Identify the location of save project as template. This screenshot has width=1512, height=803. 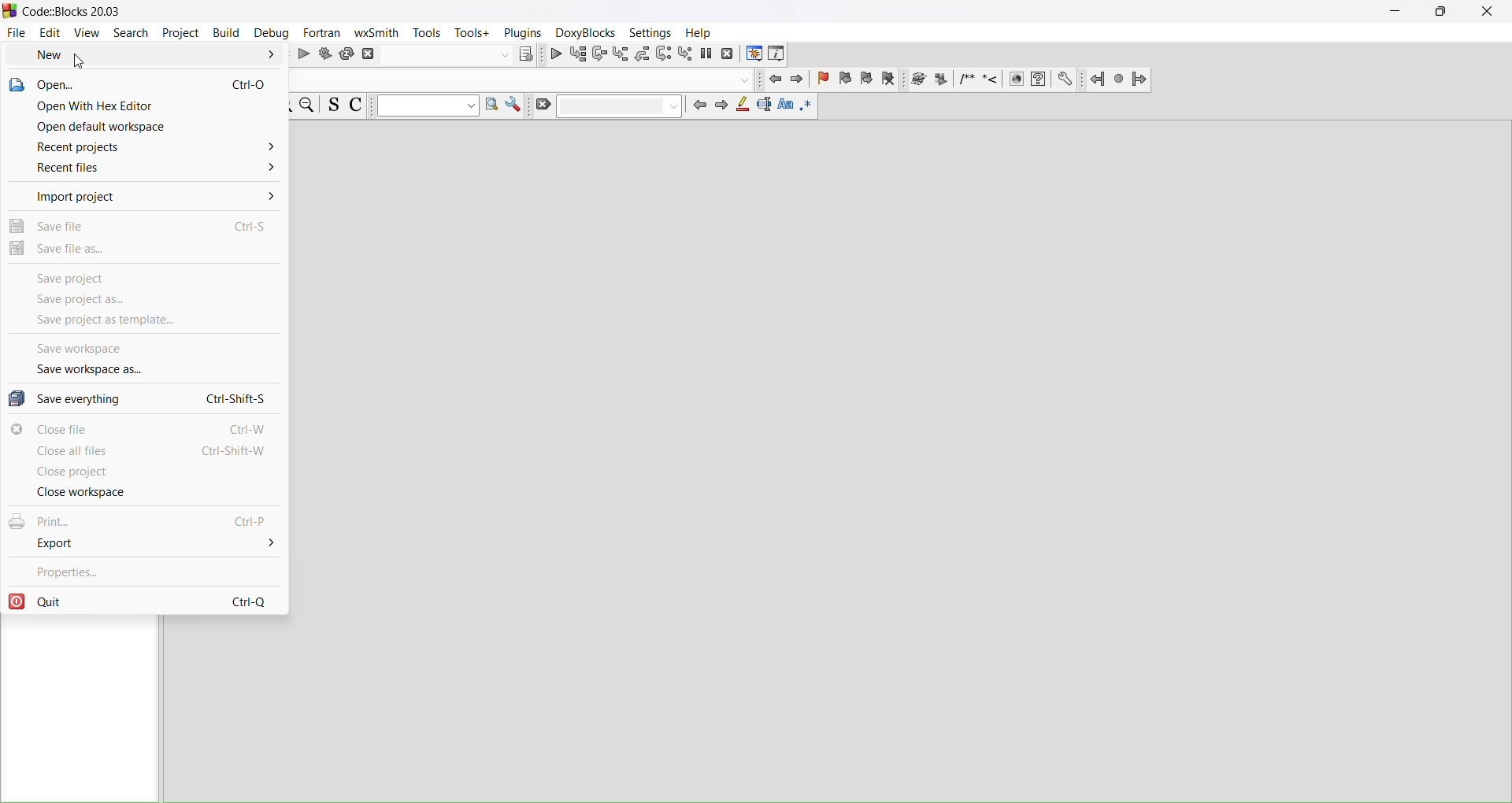
(145, 320).